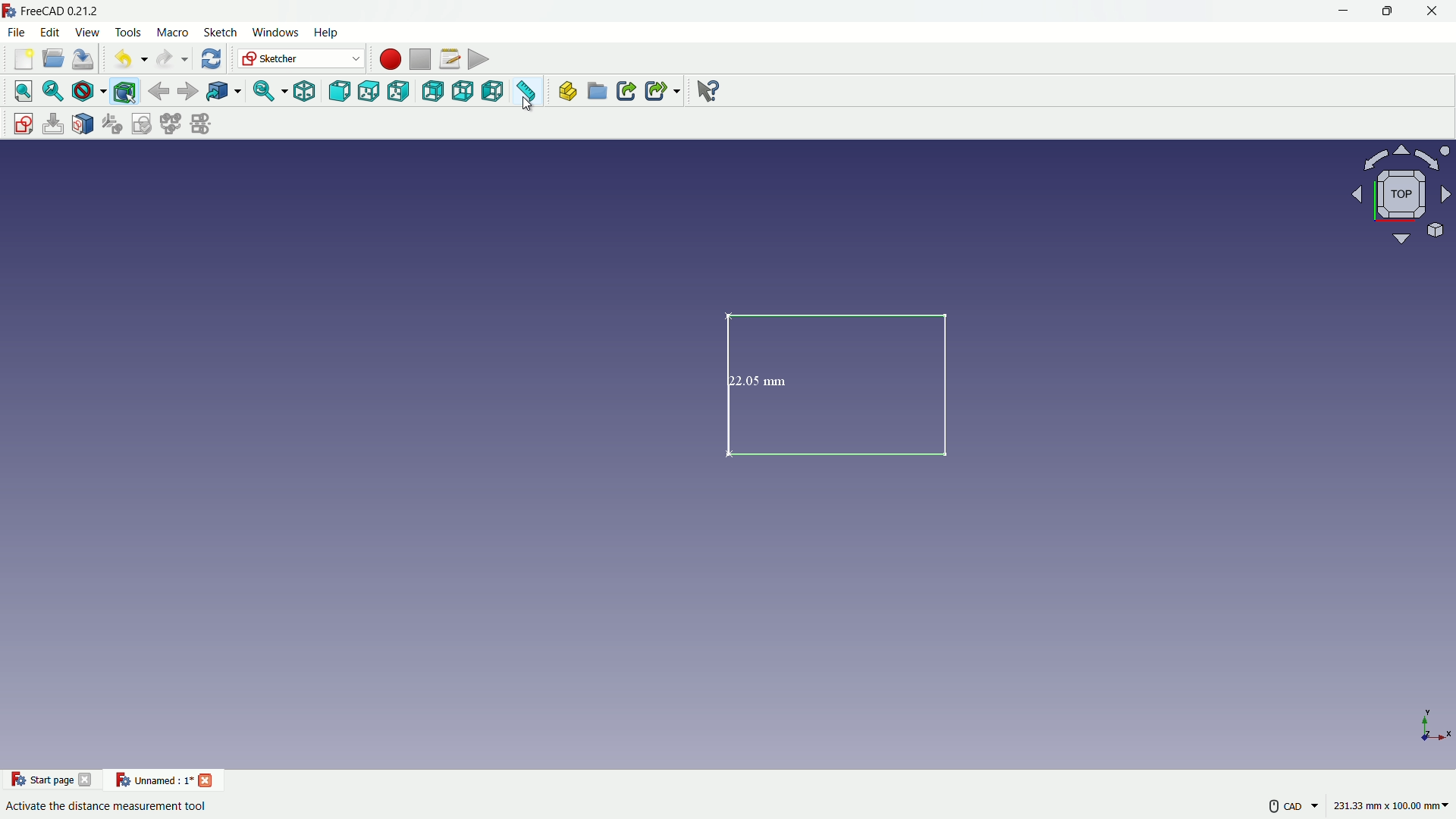  Describe the element at coordinates (158, 90) in the screenshot. I see `back` at that location.